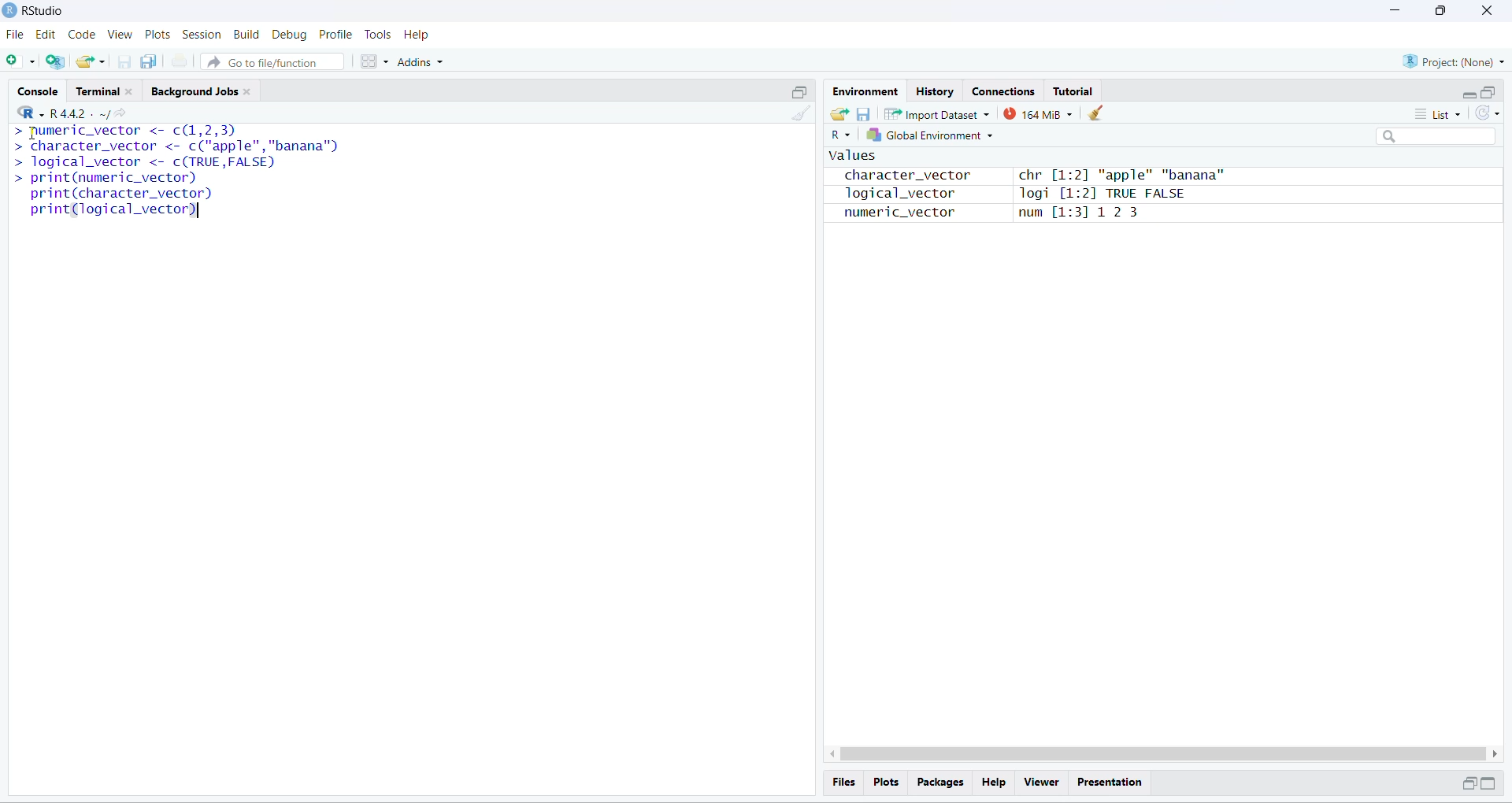 This screenshot has width=1512, height=803. What do you see at coordinates (1488, 113) in the screenshot?
I see `refresh` at bounding box center [1488, 113].